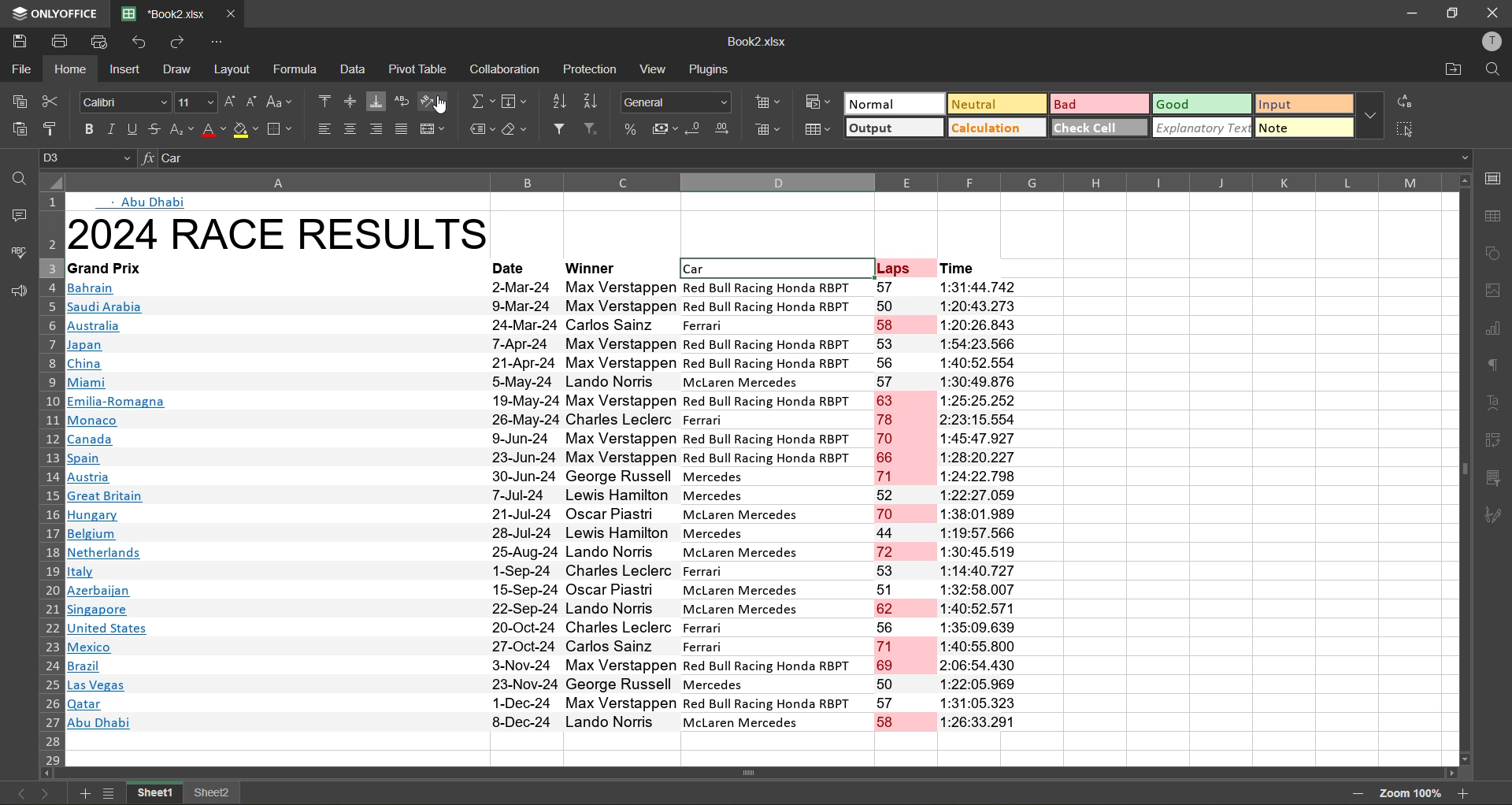  What do you see at coordinates (120, 103) in the screenshot?
I see `font style` at bounding box center [120, 103].